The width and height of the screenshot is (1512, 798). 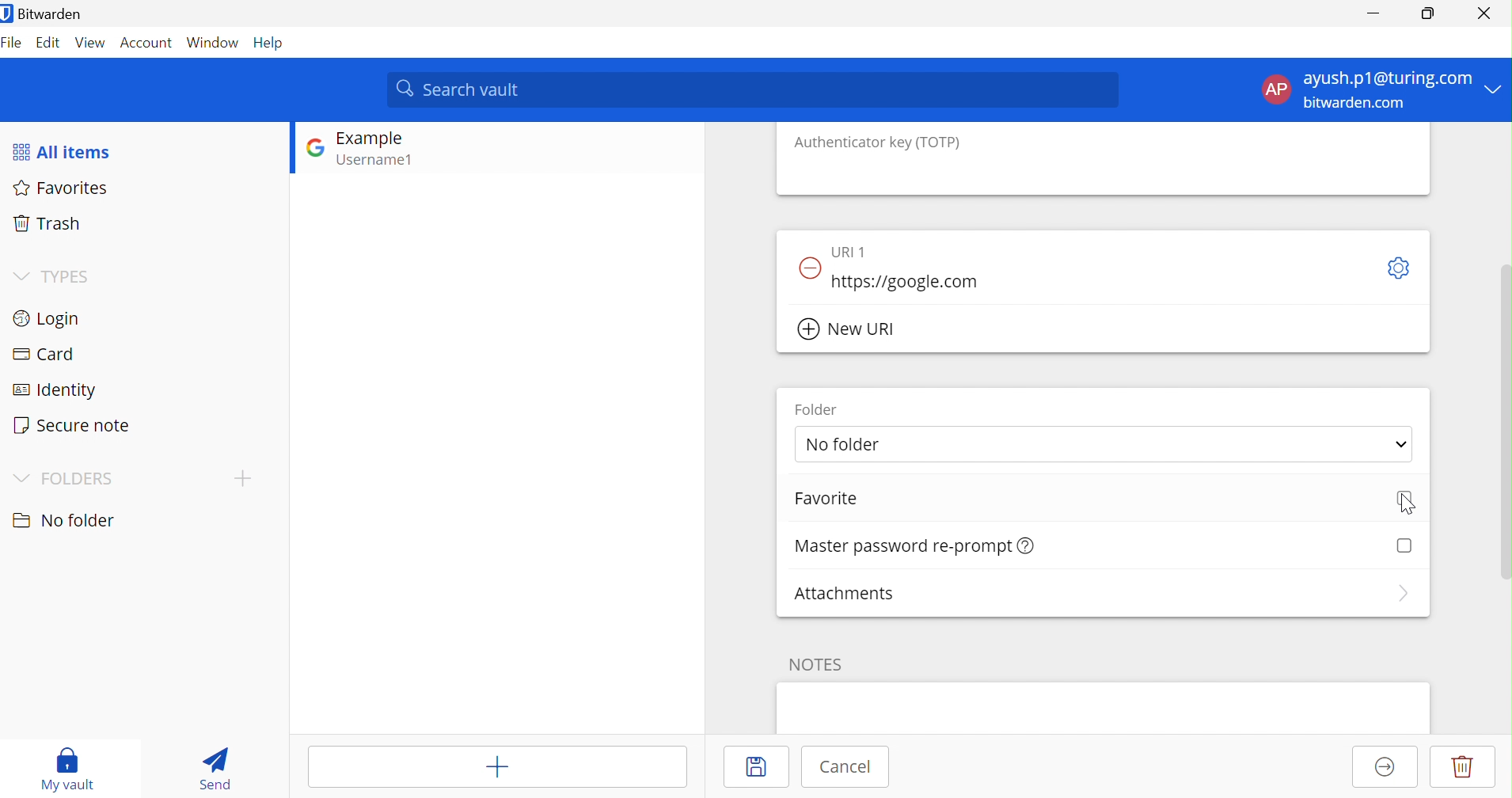 What do you see at coordinates (1405, 543) in the screenshot?
I see `Checkbox` at bounding box center [1405, 543].